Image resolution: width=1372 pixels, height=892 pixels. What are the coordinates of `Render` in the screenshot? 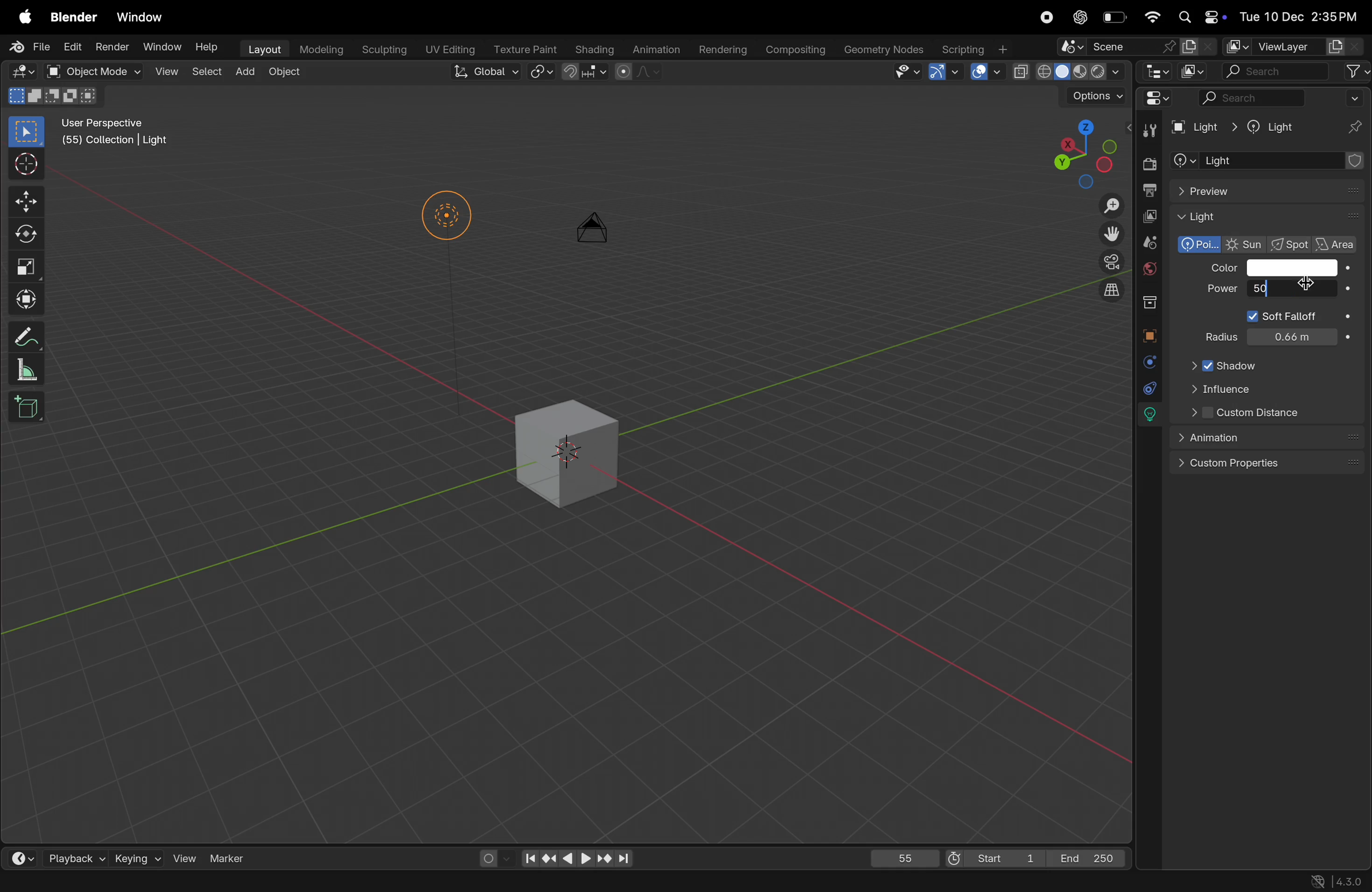 It's located at (111, 47).